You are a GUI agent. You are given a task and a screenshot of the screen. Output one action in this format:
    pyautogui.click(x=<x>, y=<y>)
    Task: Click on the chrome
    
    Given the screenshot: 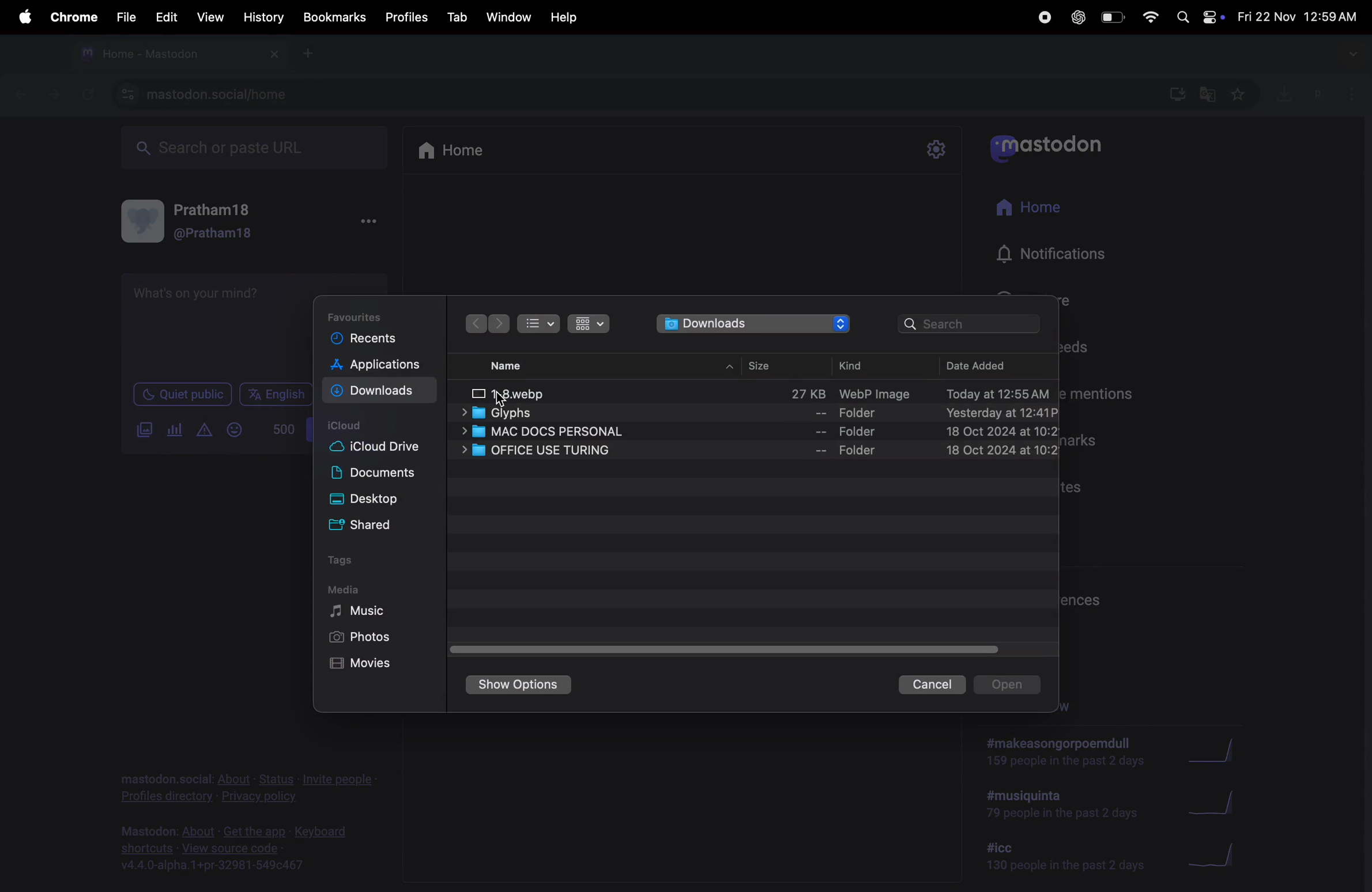 What is the action you would take?
    pyautogui.click(x=74, y=17)
    